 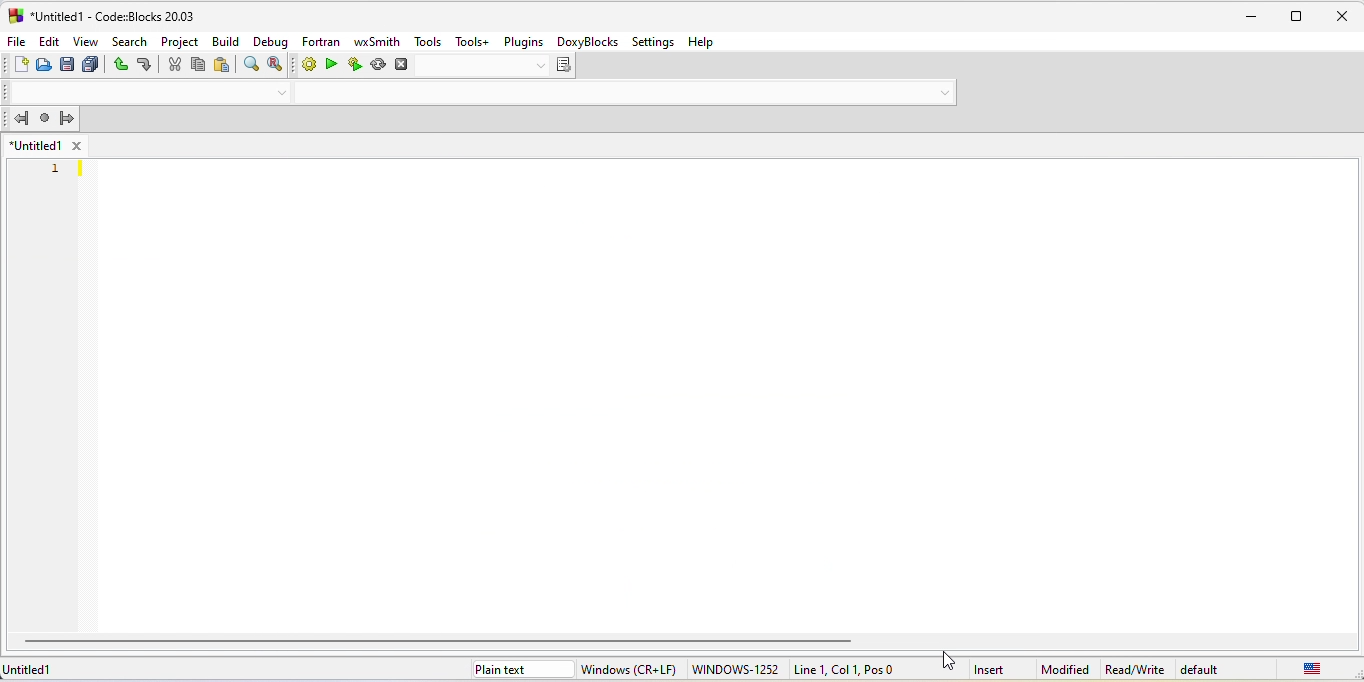 What do you see at coordinates (45, 117) in the screenshot?
I see `last jump` at bounding box center [45, 117].